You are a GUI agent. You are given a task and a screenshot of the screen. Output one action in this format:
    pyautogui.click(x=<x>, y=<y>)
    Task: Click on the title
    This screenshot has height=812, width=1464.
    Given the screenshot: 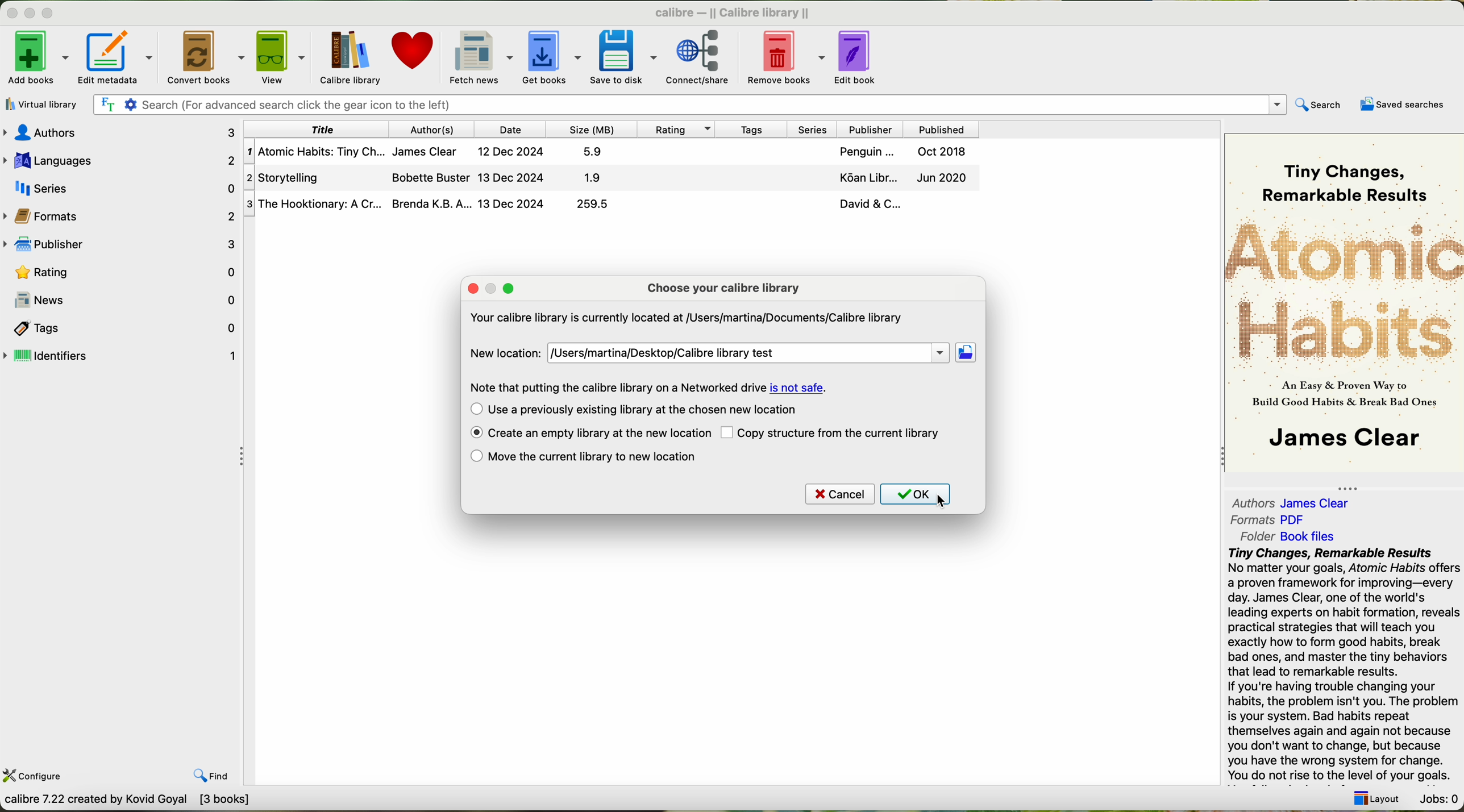 What is the action you would take?
    pyautogui.click(x=318, y=129)
    